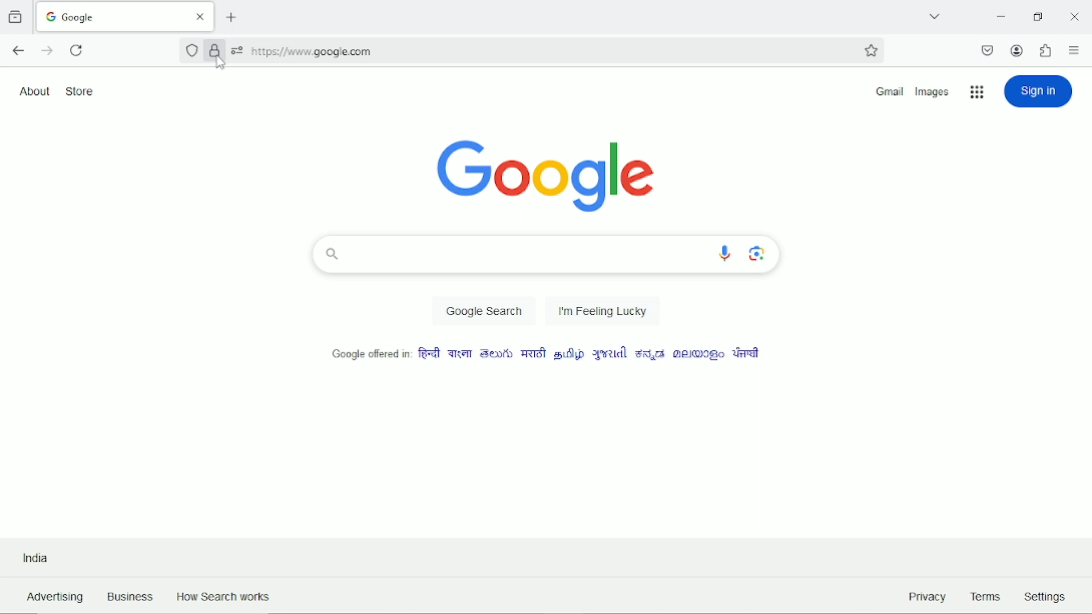 This screenshot has height=614, width=1092. I want to click on language, so click(567, 354).